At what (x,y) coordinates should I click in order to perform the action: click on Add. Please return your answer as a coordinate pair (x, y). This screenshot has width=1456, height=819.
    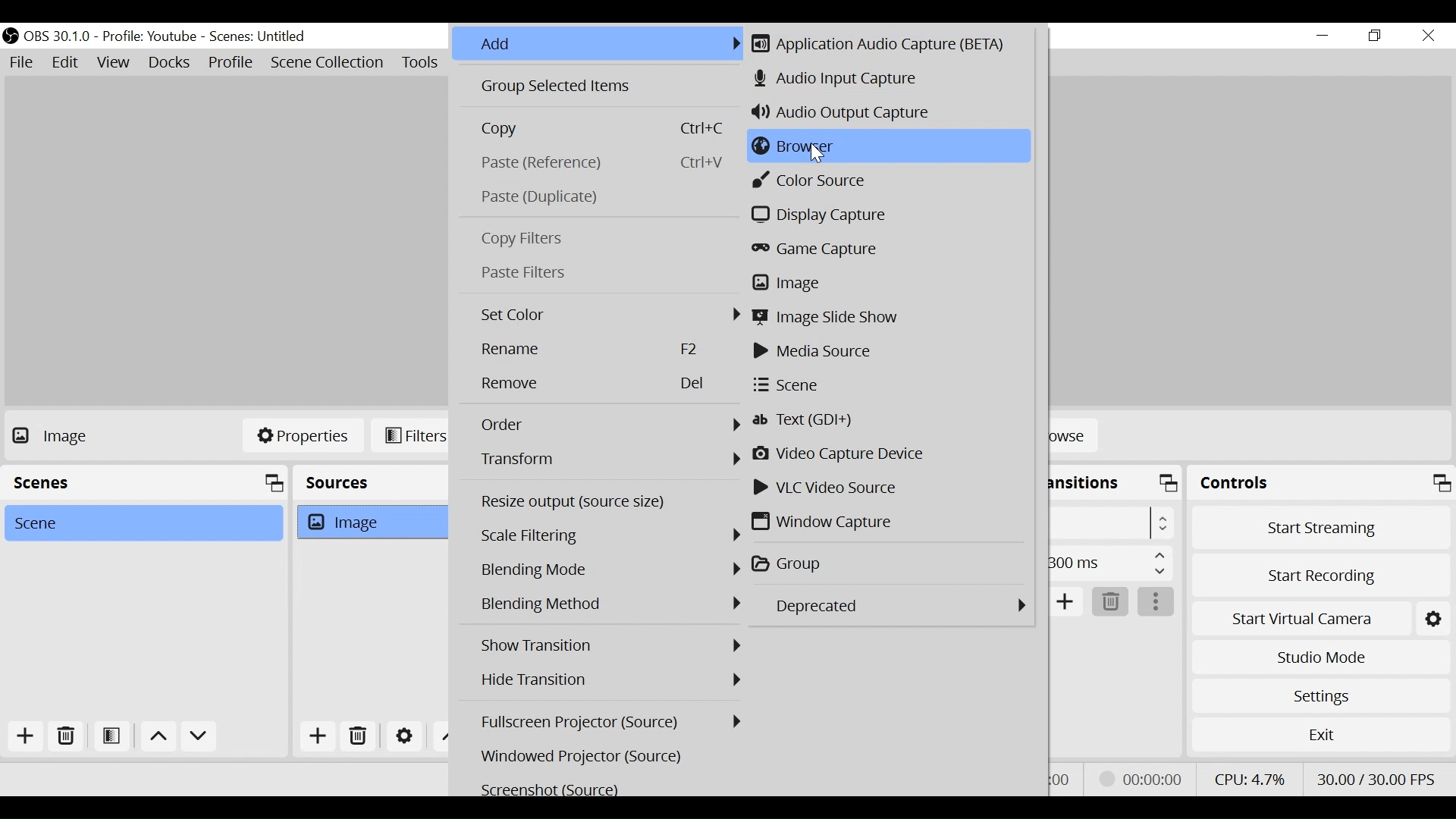
    Looking at the image, I should click on (31, 737).